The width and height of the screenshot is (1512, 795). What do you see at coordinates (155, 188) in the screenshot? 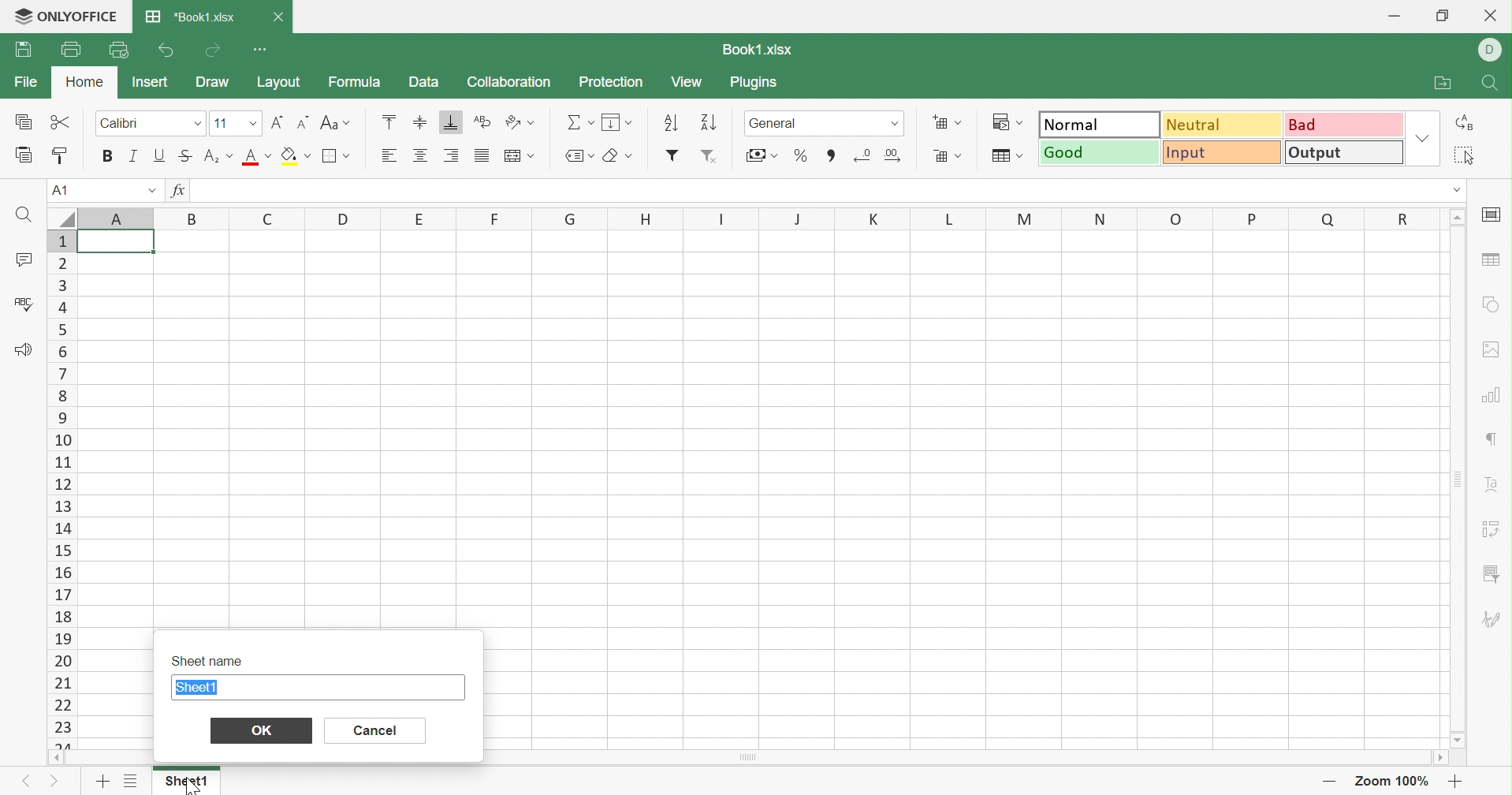
I see `Drop Down` at bounding box center [155, 188].